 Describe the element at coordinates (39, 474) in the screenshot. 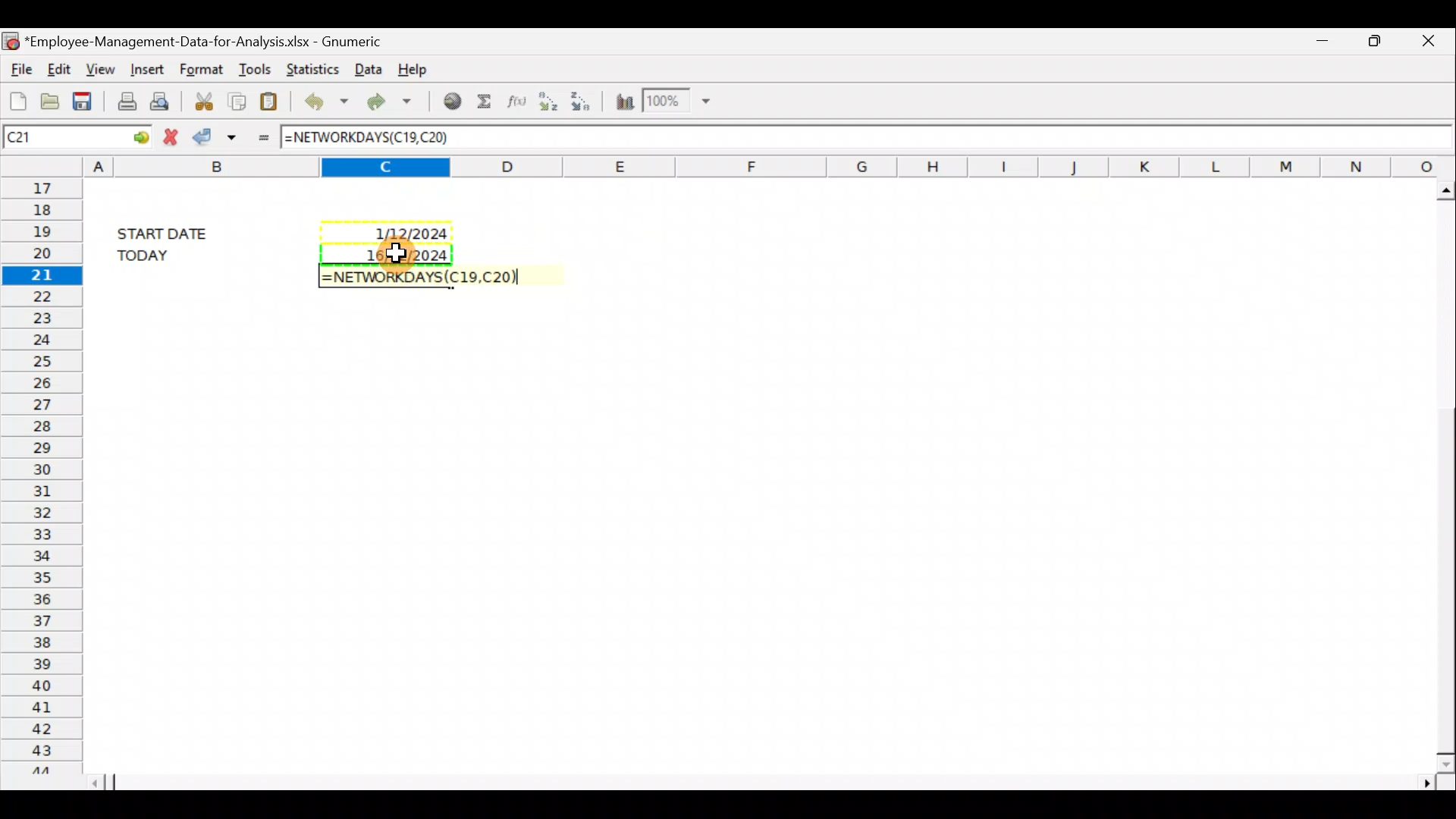

I see `Rows` at that location.